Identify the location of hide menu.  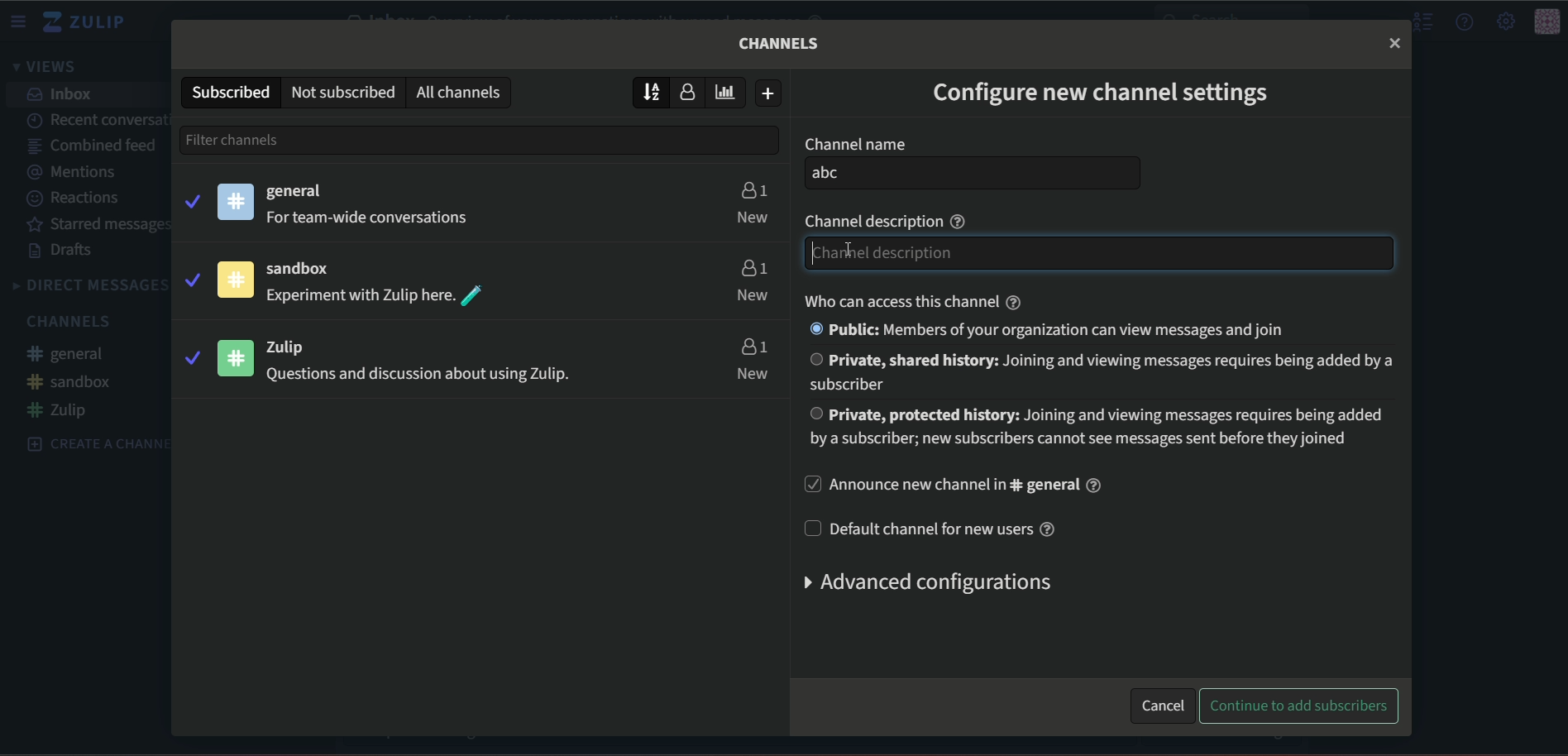
(1421, 22).